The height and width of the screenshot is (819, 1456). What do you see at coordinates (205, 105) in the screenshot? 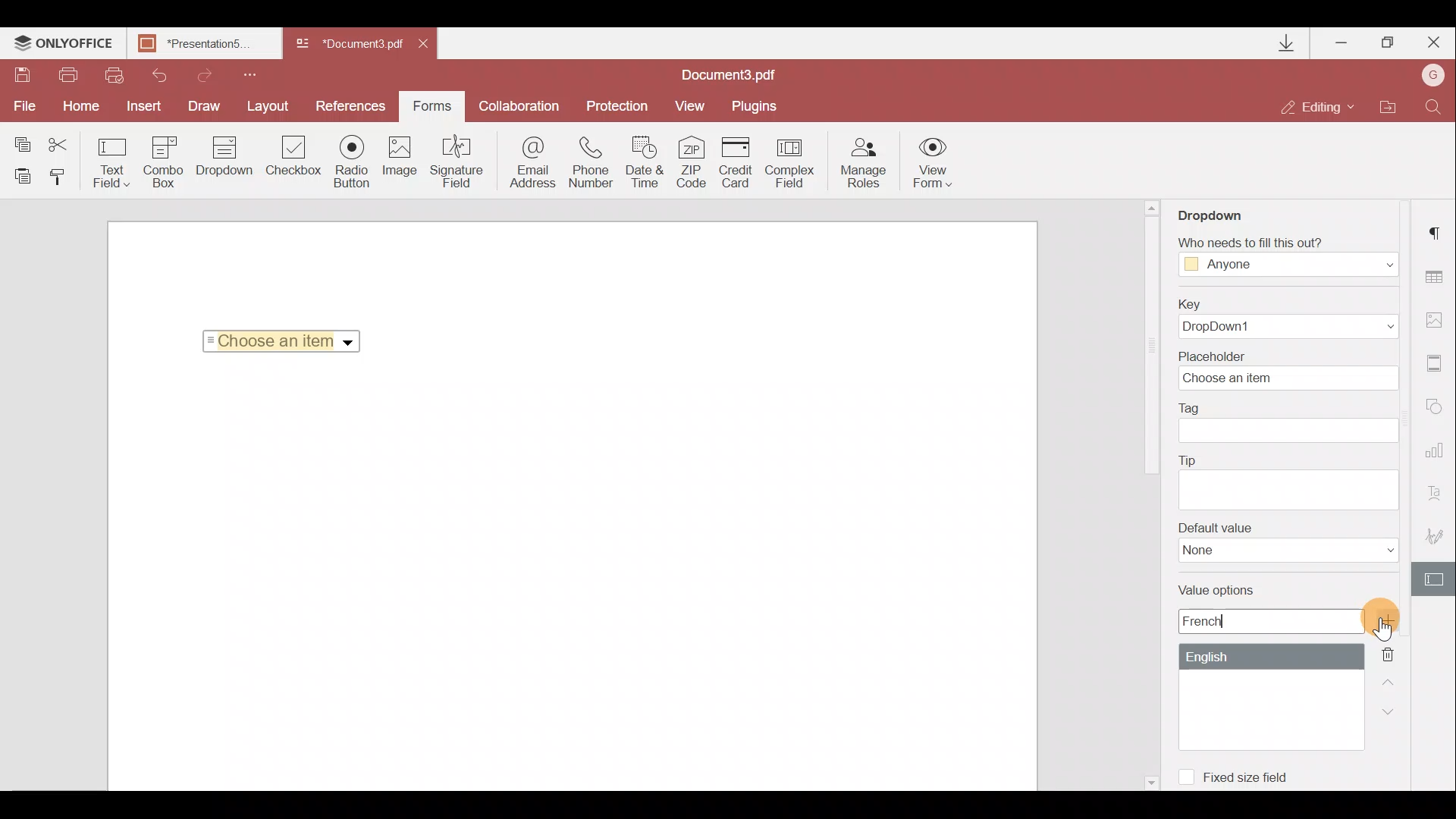
I see `Draw` at bounding box center [205, 105].